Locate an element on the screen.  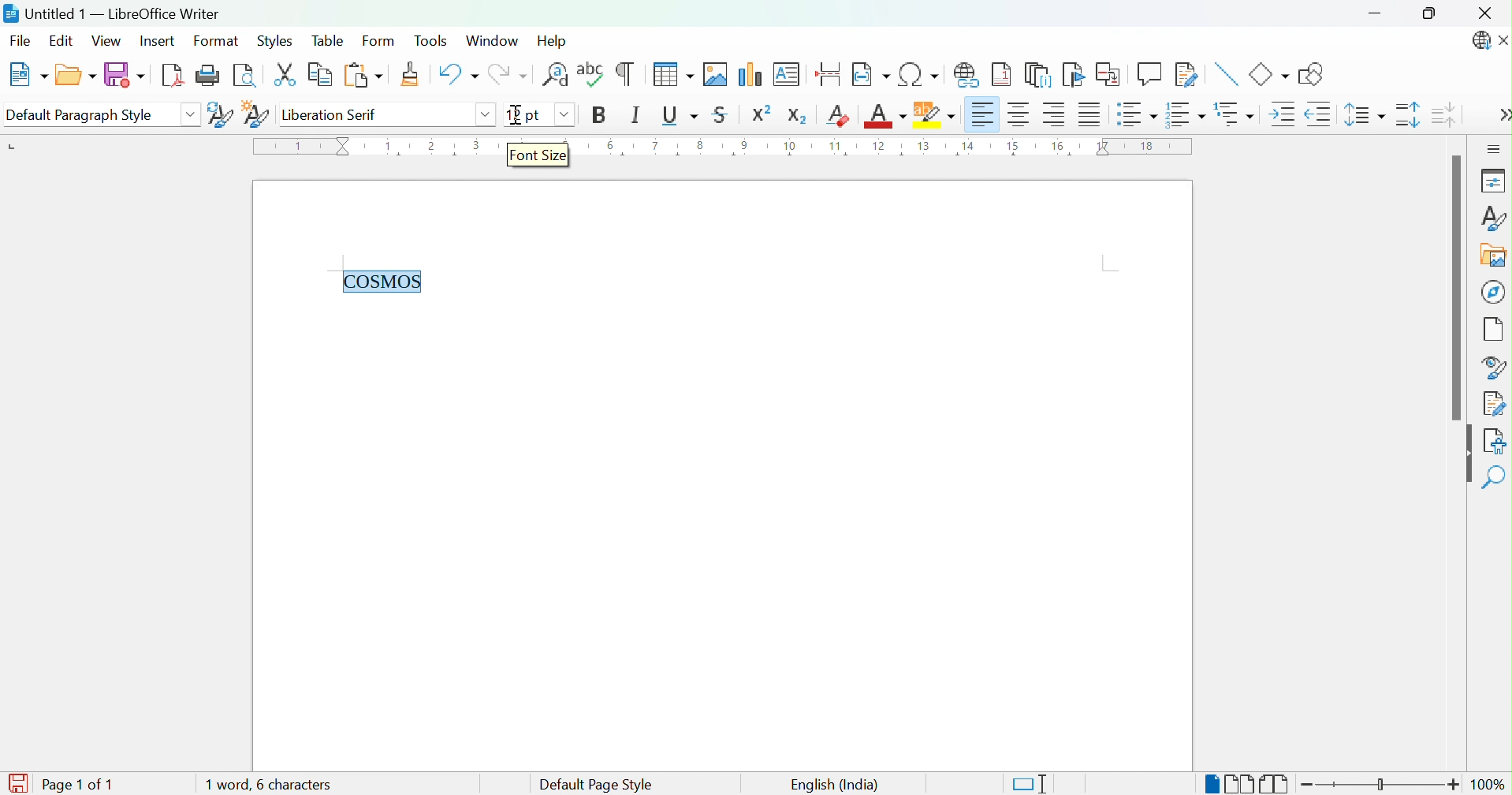
New Style from Selection is located at coordinates (255, 113).